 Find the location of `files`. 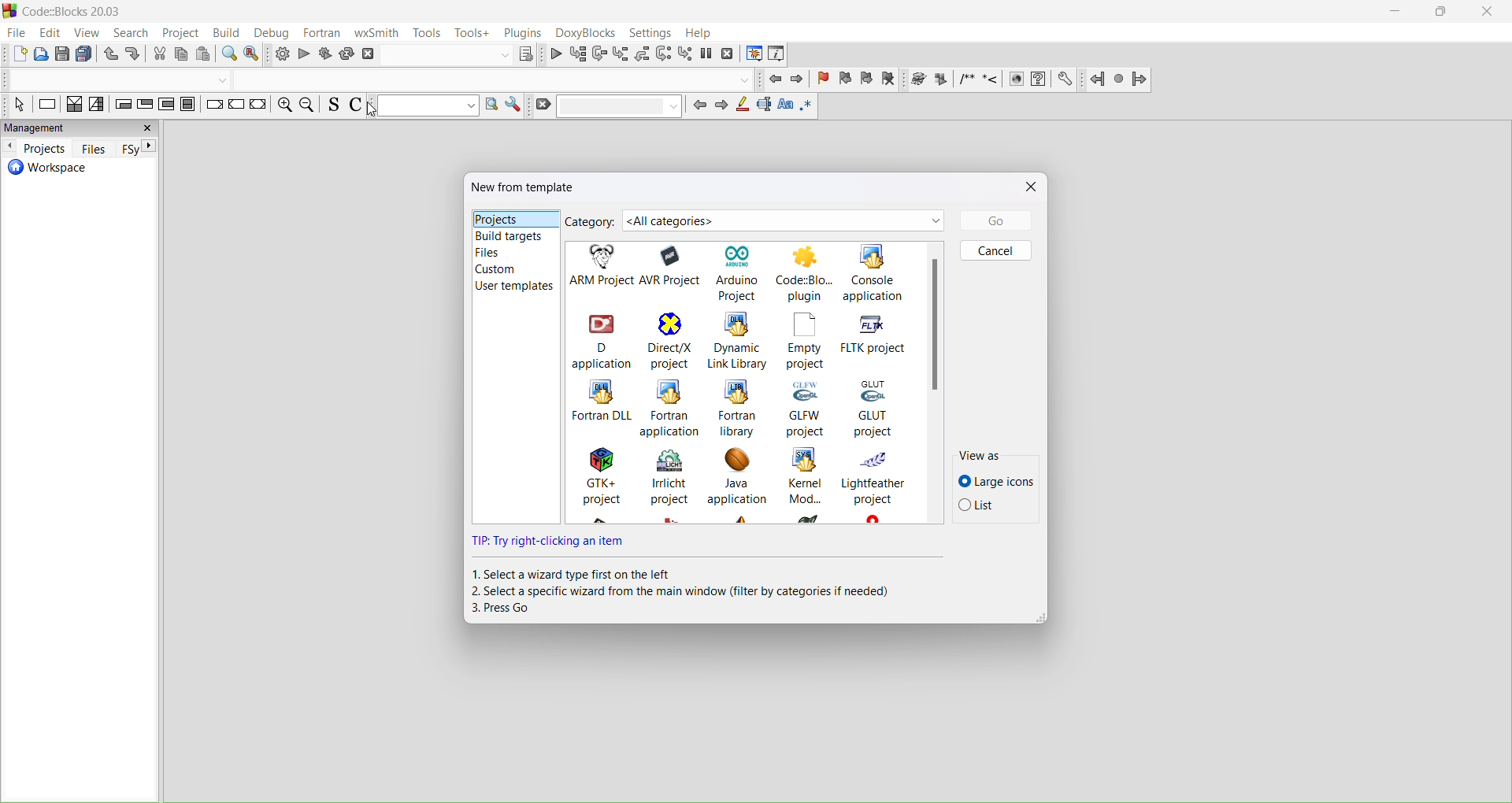

files is located at coordinates (93, 149).